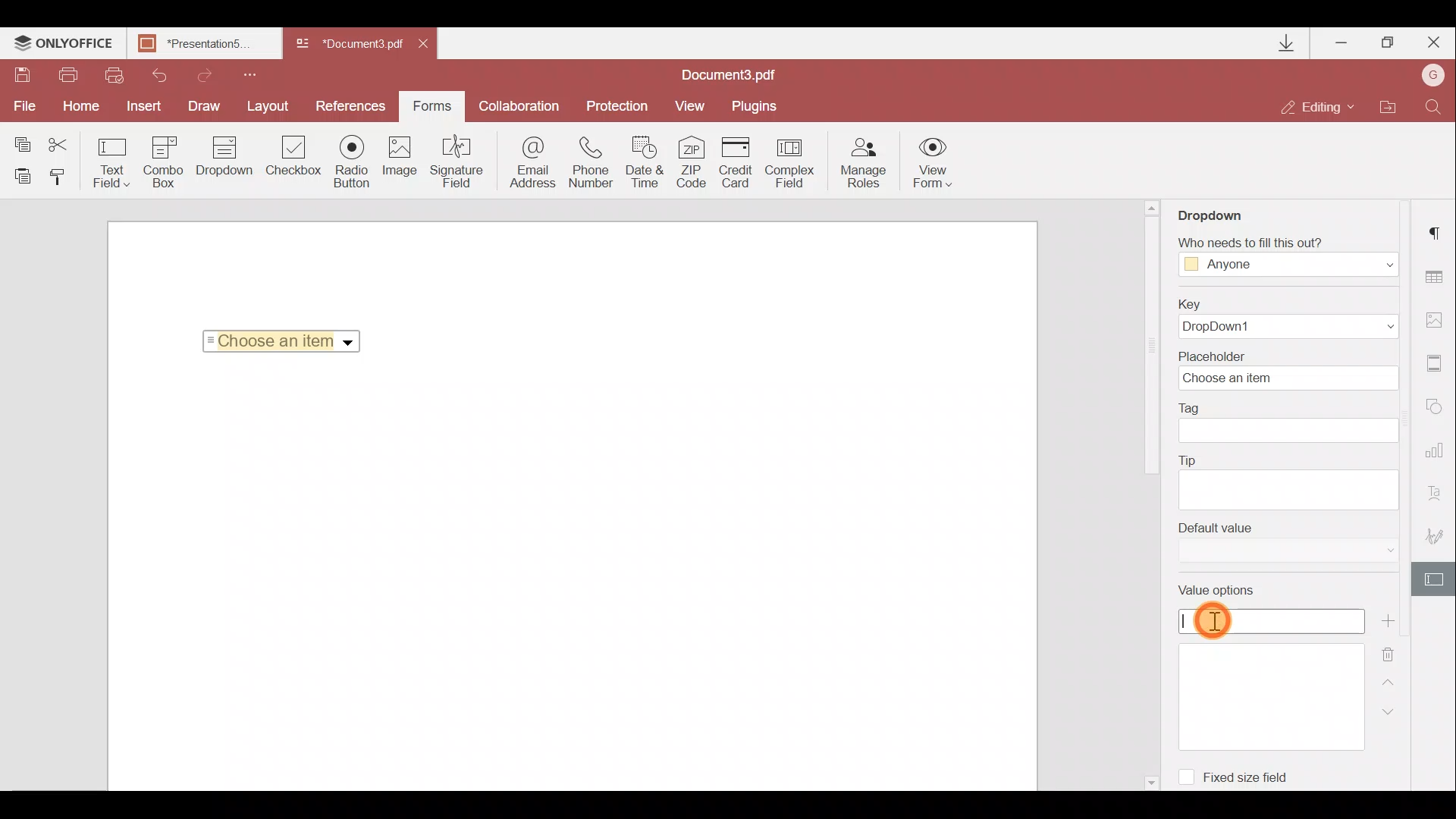 Image resolution: width=1456 pixels, height=819 pixels. What do you see at coordinates (1150, 348) in the screenshot?
I see `scroll bar` at bounding box center [1150, 348].